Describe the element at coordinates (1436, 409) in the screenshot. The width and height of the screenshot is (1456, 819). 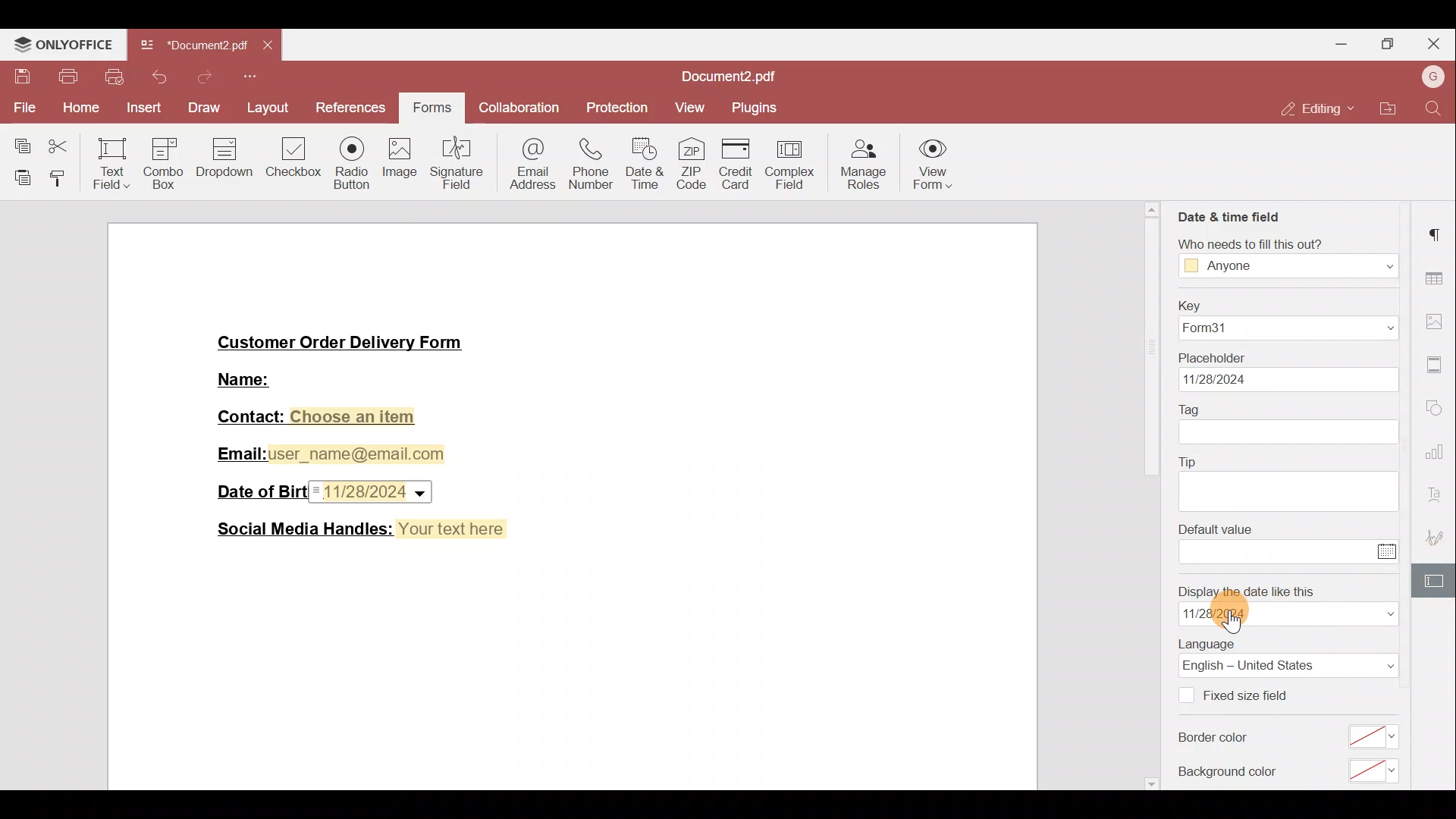
I see `Shapes settings` at that location.